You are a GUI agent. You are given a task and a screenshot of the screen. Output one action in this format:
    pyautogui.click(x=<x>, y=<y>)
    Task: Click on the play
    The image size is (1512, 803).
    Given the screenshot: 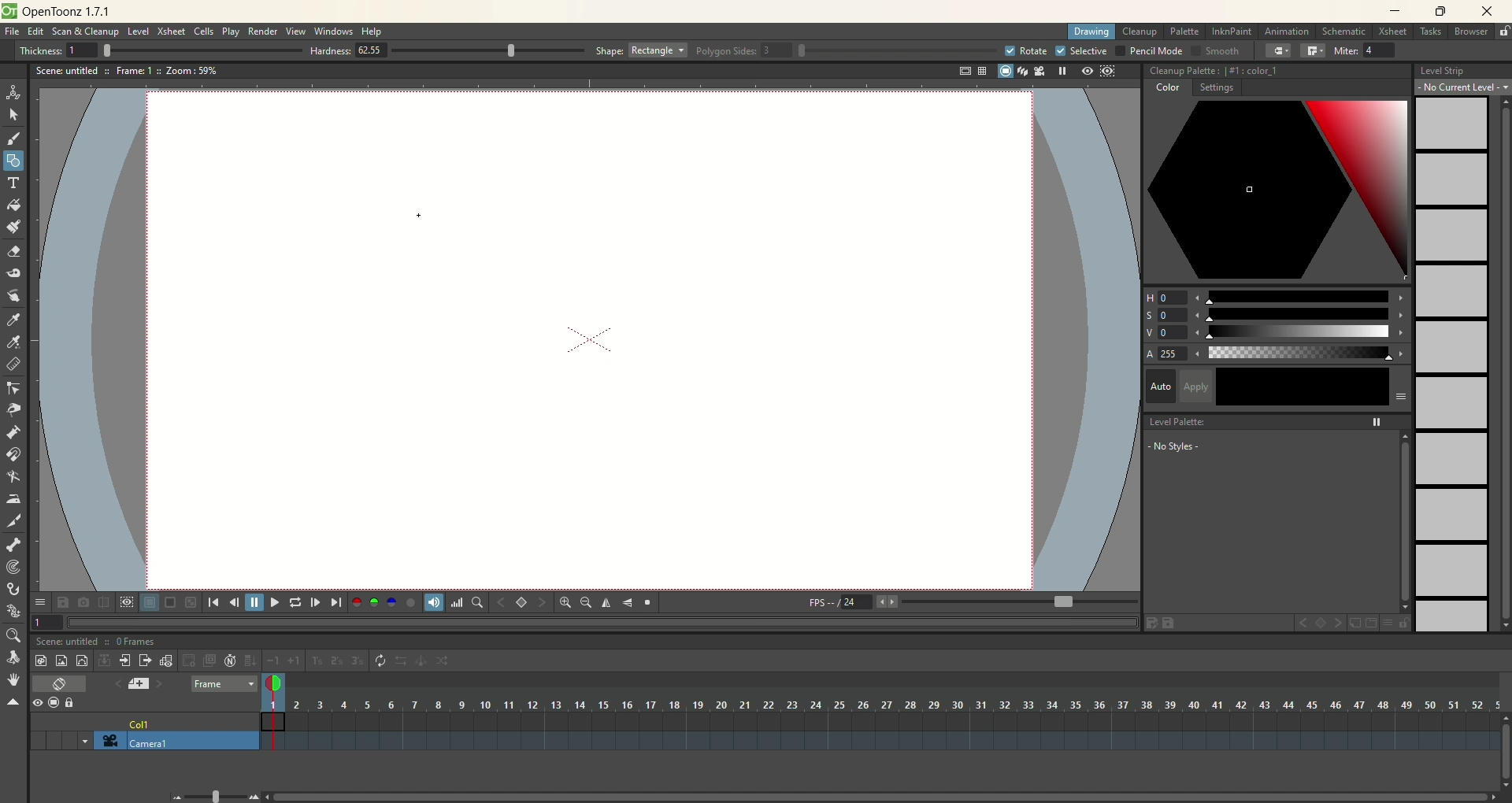 What is the action you would take?
    pyautogui.click(x=231, y=31)
    